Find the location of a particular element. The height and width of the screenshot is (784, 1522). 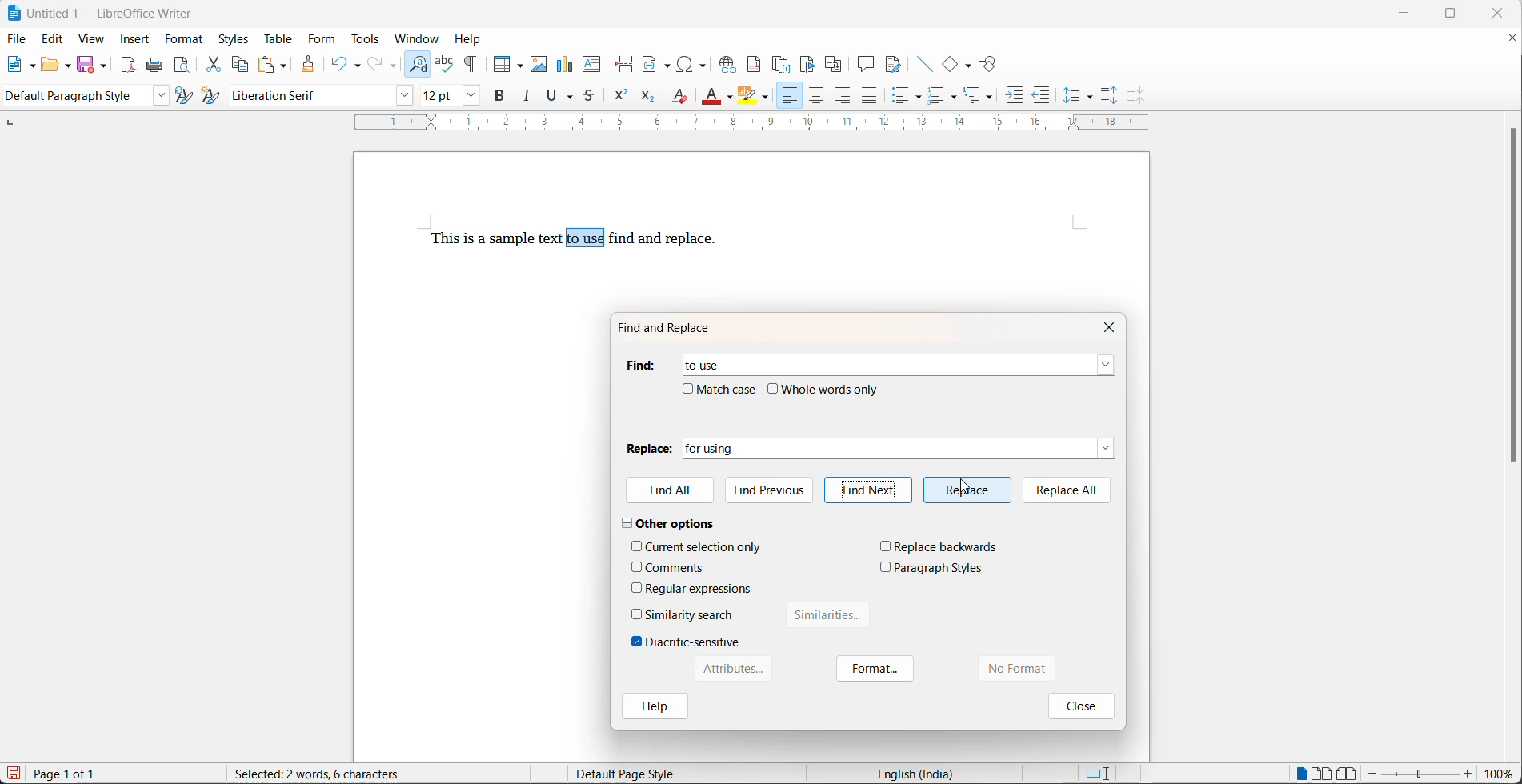

insert special characters is located at coordinates (696, 64).